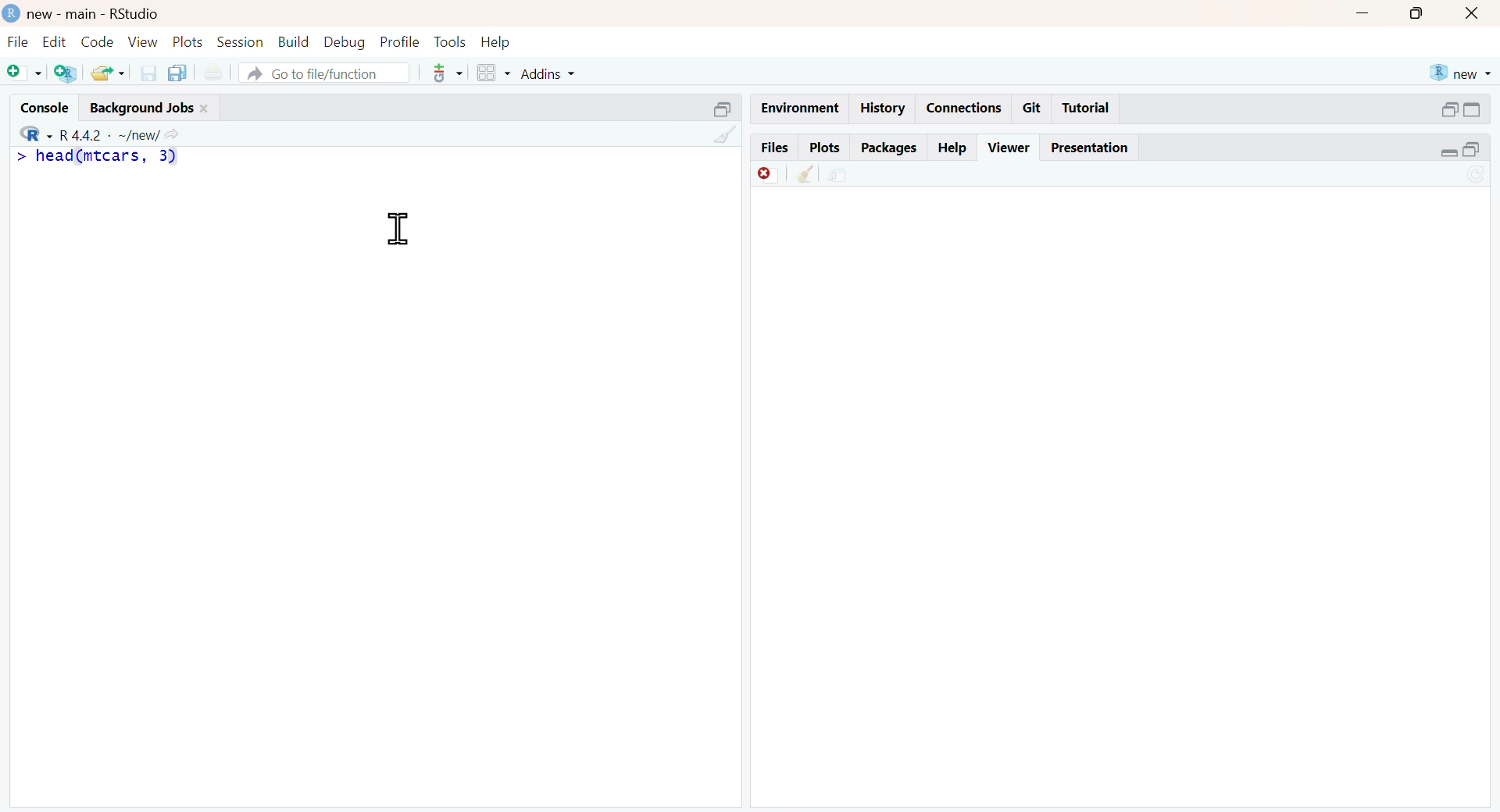  I want to click on Files, so click(770, 146).